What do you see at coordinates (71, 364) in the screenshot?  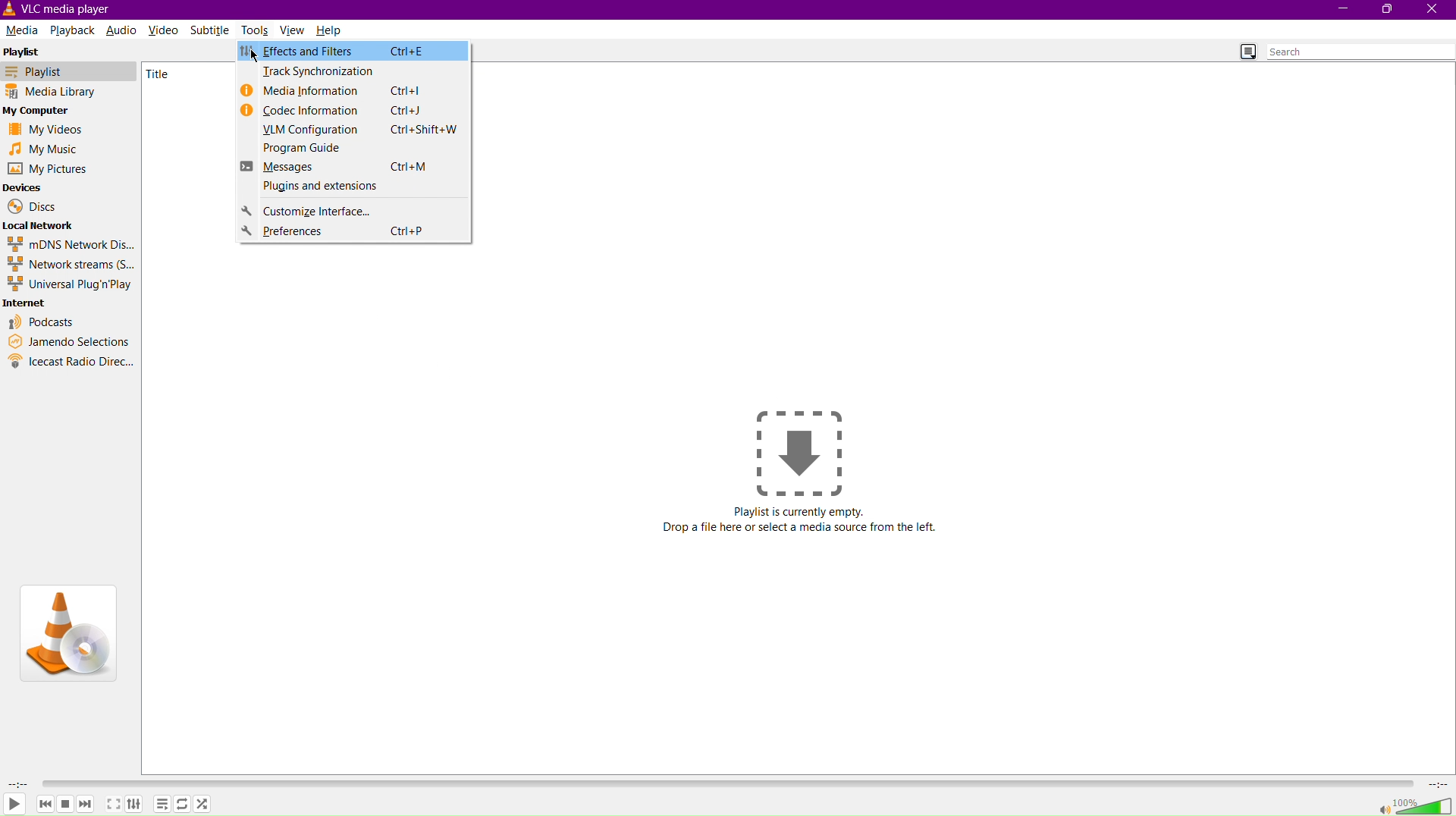 I see `Icecast Radio Directory` at bounding box center [71, 364].